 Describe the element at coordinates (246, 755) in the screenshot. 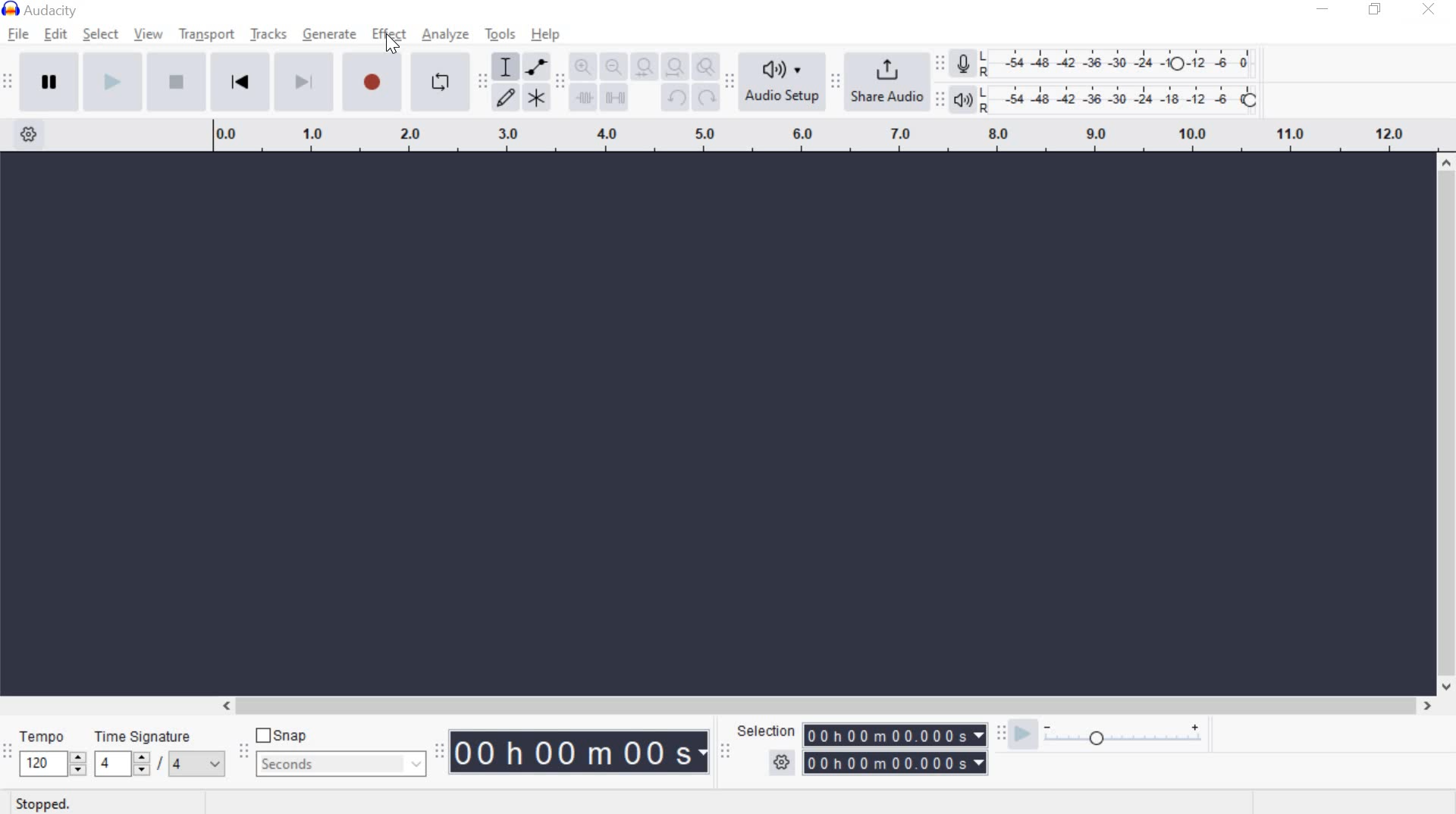

I see `Snapping Toolbar` at that location.